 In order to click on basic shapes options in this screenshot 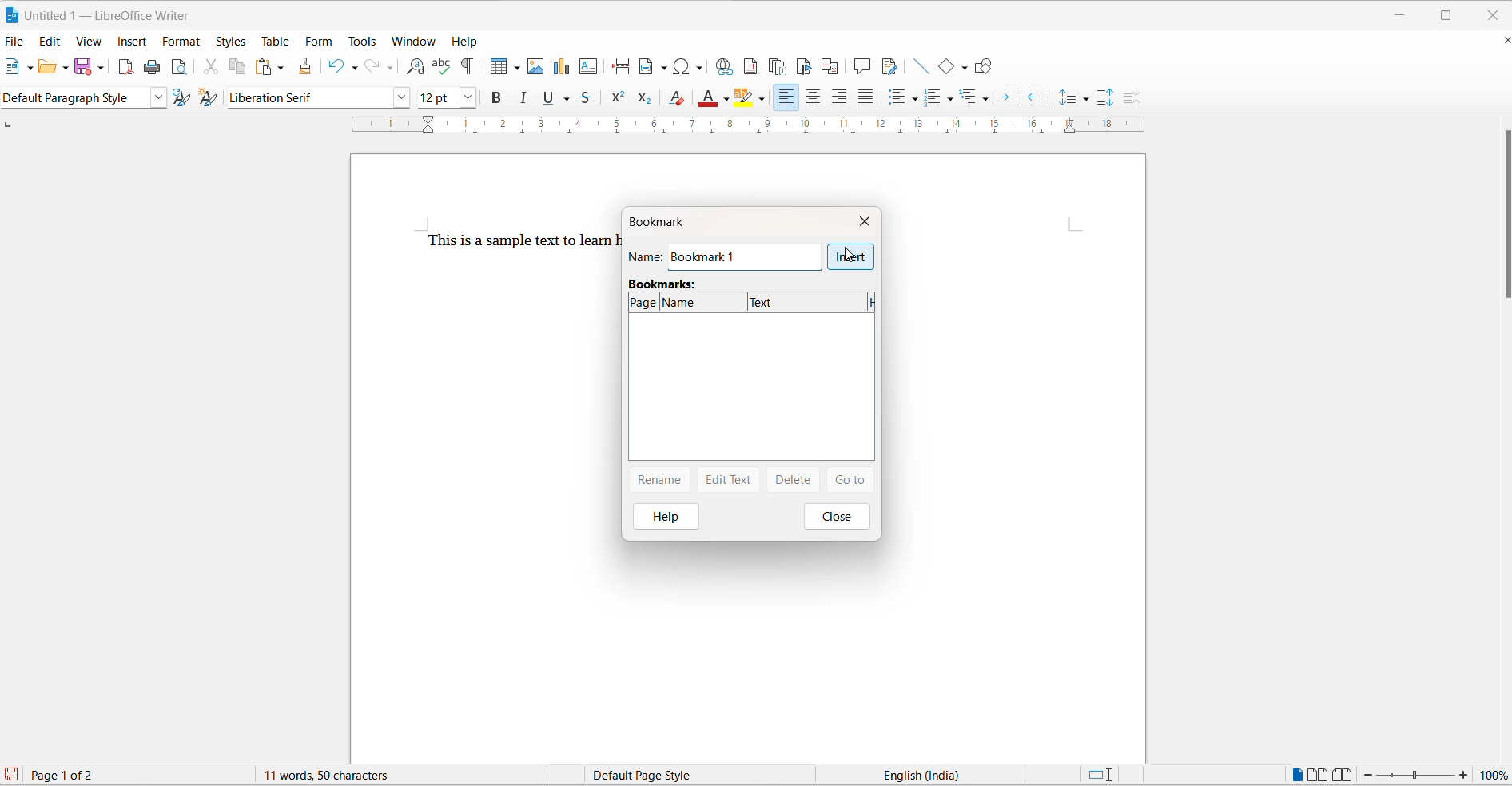, I will do `click(961, 65)`.